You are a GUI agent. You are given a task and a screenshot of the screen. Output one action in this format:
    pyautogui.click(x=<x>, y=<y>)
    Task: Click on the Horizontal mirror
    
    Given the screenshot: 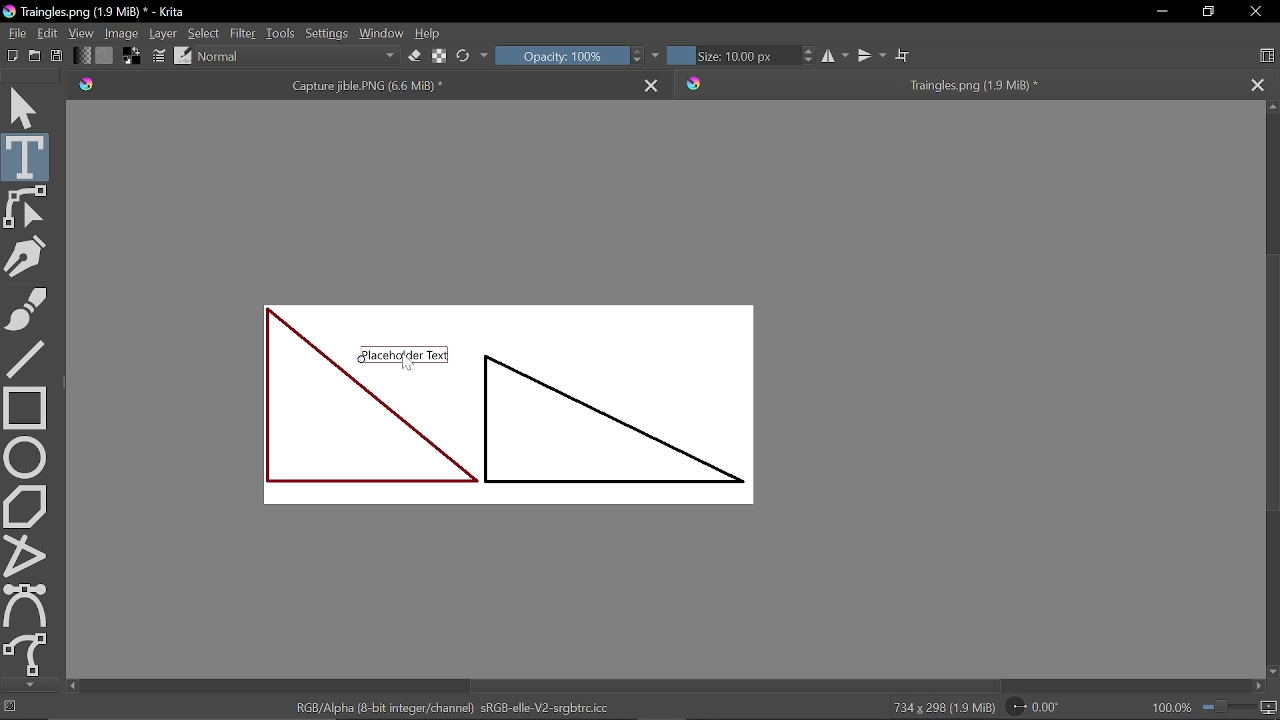 What is the action you would take?
    pyautogui.click(x=833, y=56)
    